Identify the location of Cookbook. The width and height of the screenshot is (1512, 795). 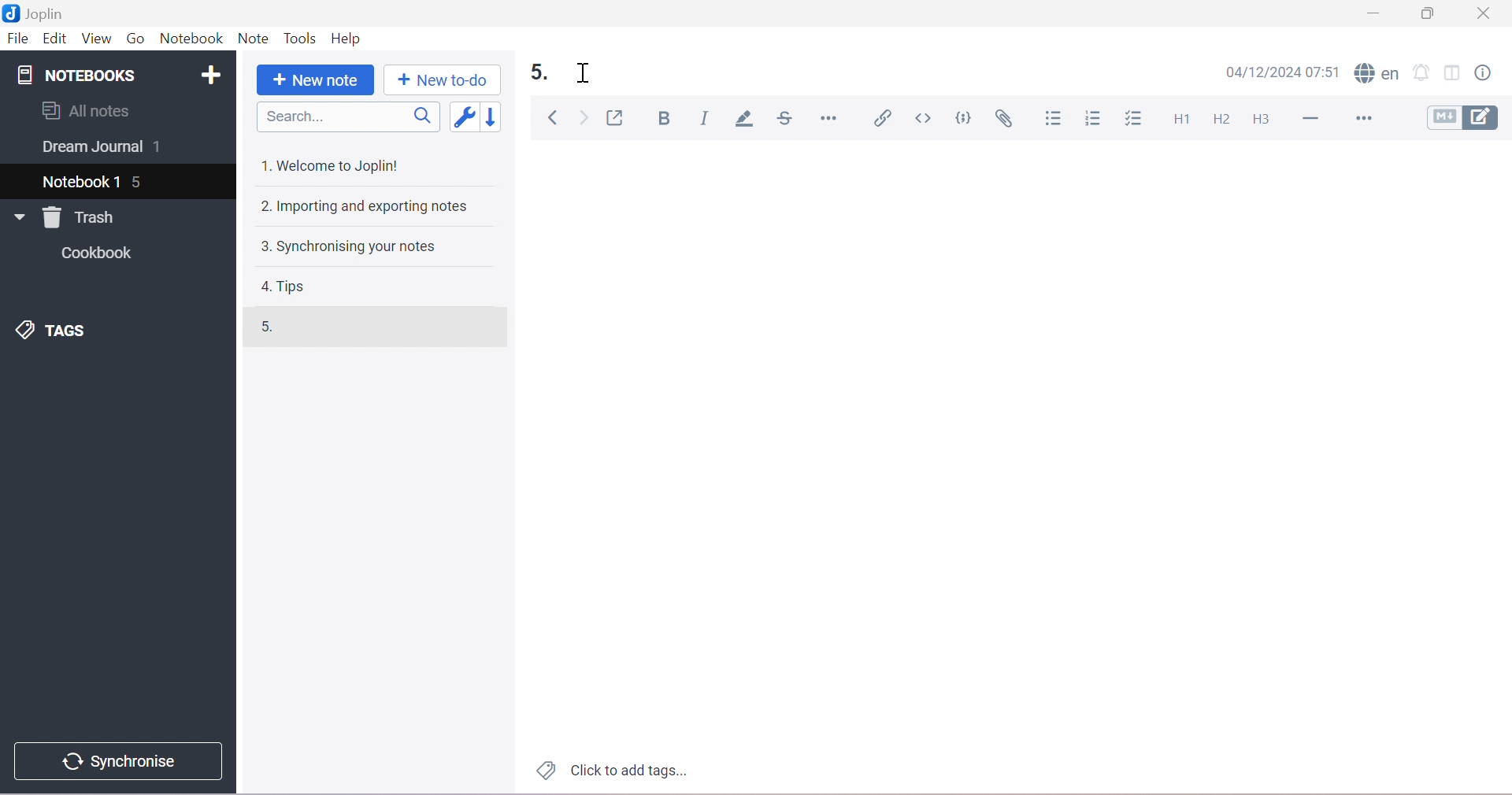
(101, 255).